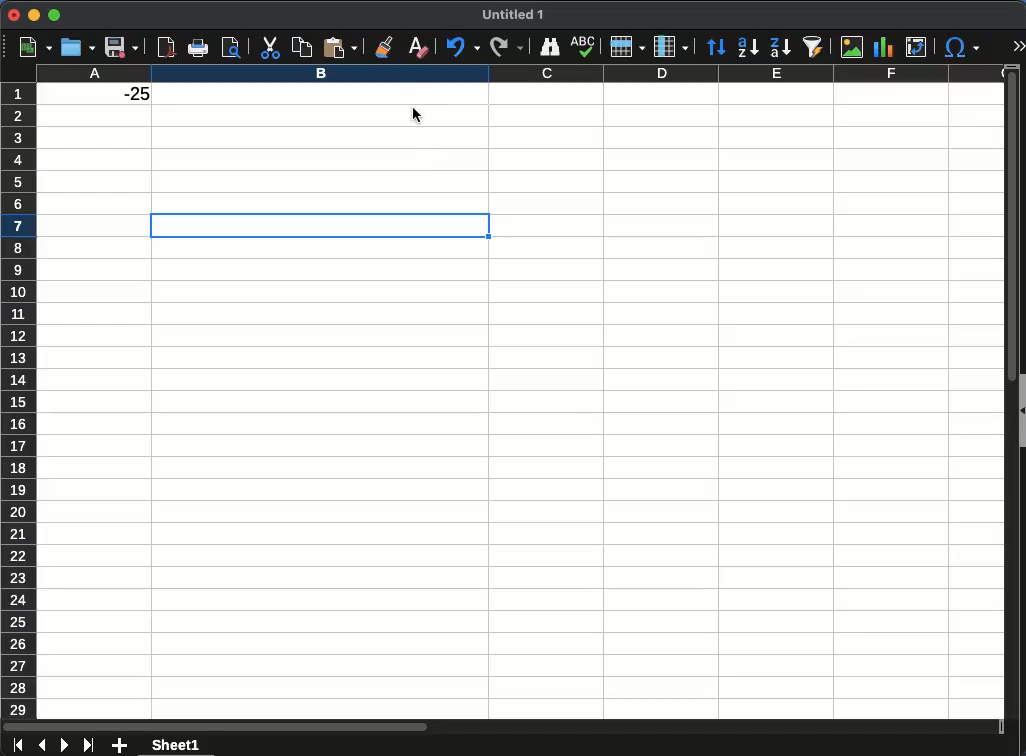  Describe the element at coordinates (1020, 409) in the screenshot. I see `collapse` at that location.